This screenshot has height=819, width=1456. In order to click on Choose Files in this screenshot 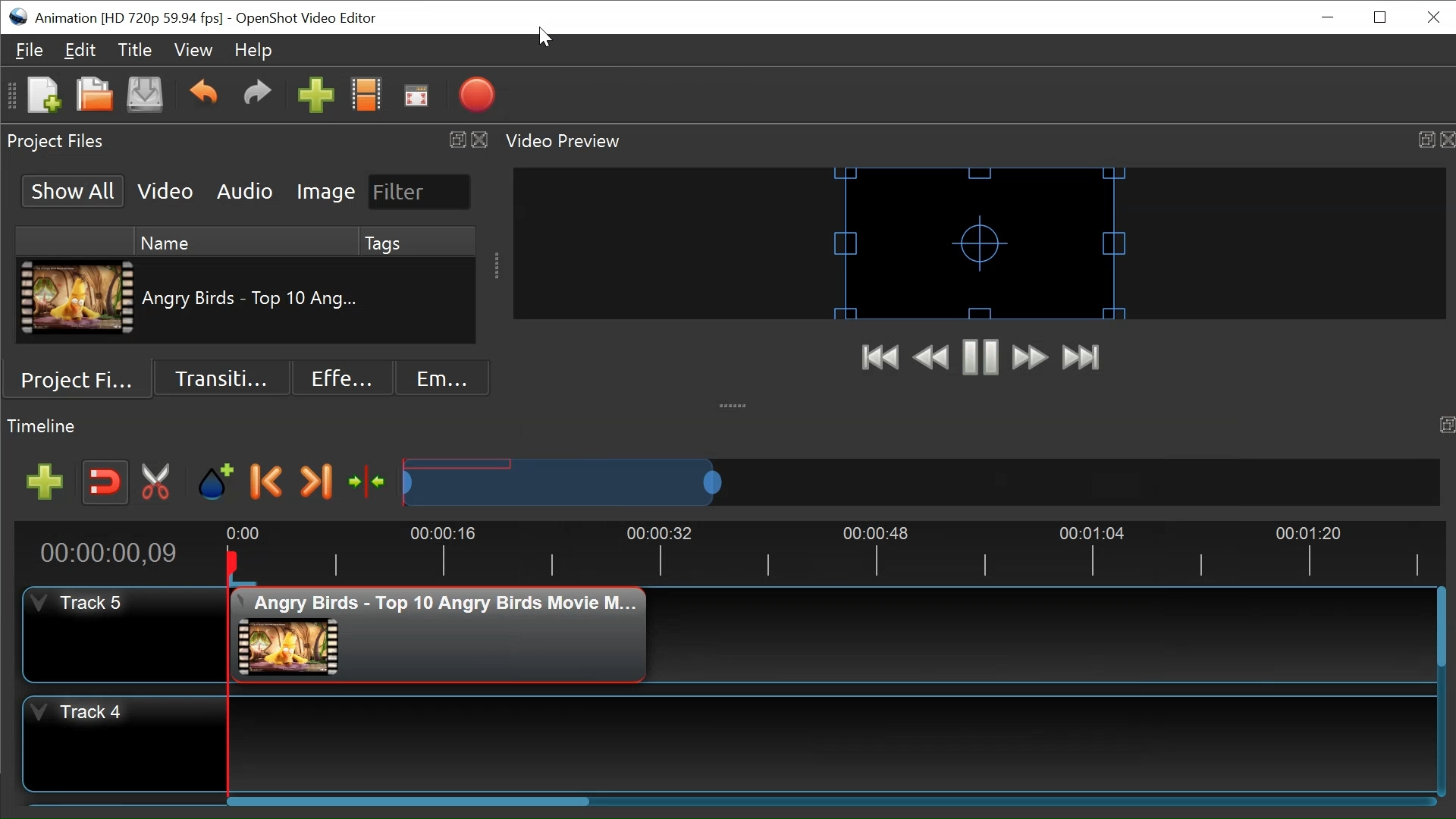, I will do `click(367, 93)`.